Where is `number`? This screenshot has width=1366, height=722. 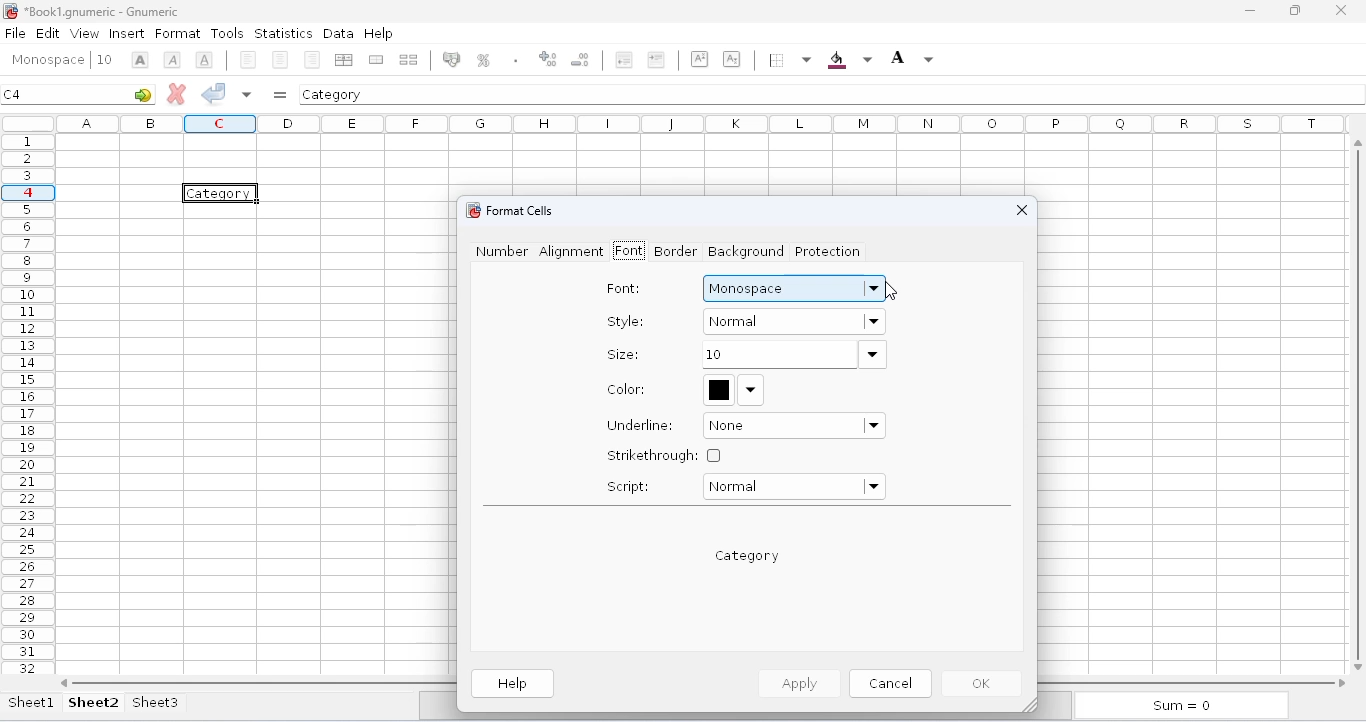
number is located at coordinates (502, 251).